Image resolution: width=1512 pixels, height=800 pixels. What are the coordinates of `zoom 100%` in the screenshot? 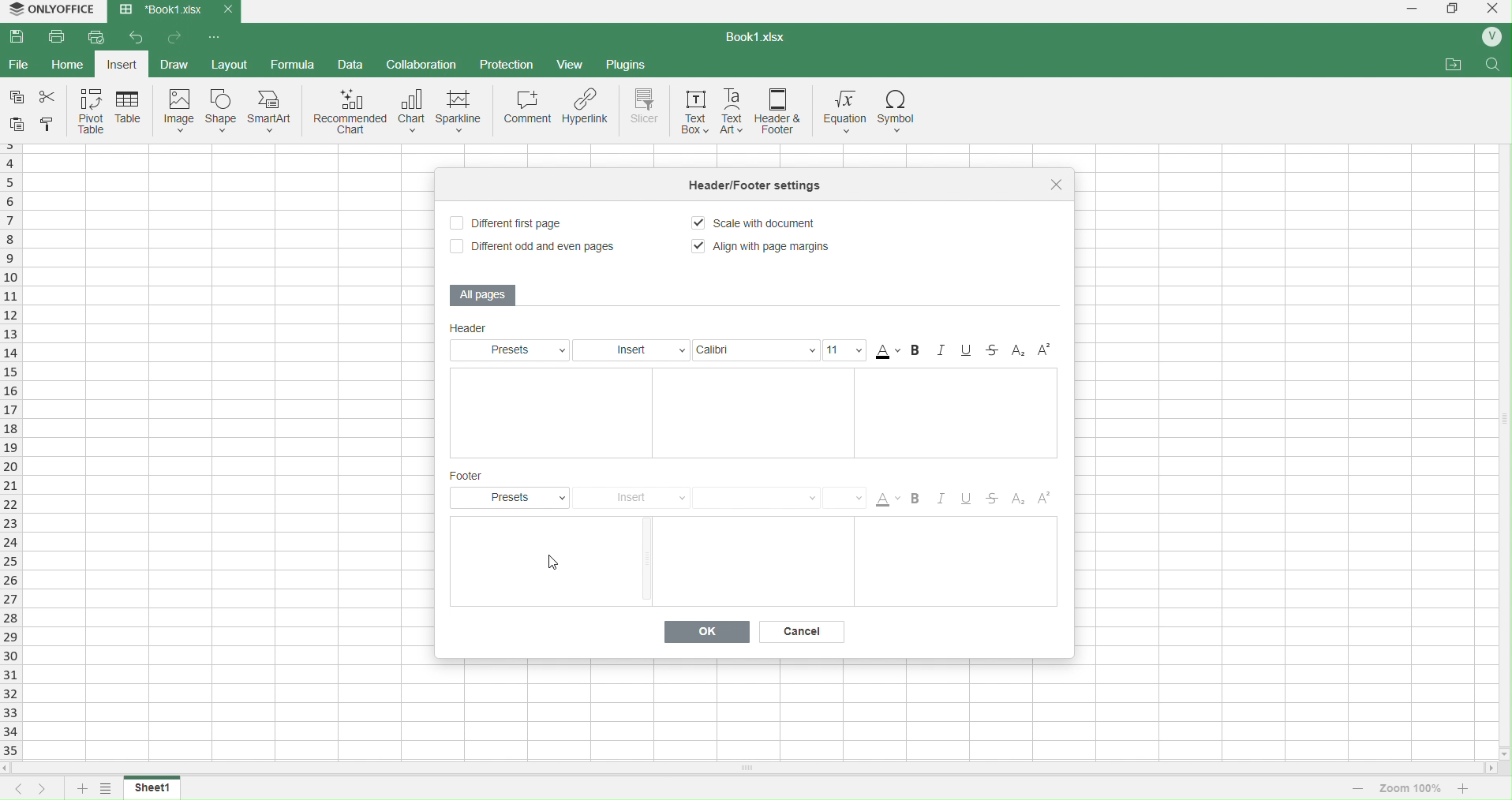 It's located at (1412, 787).